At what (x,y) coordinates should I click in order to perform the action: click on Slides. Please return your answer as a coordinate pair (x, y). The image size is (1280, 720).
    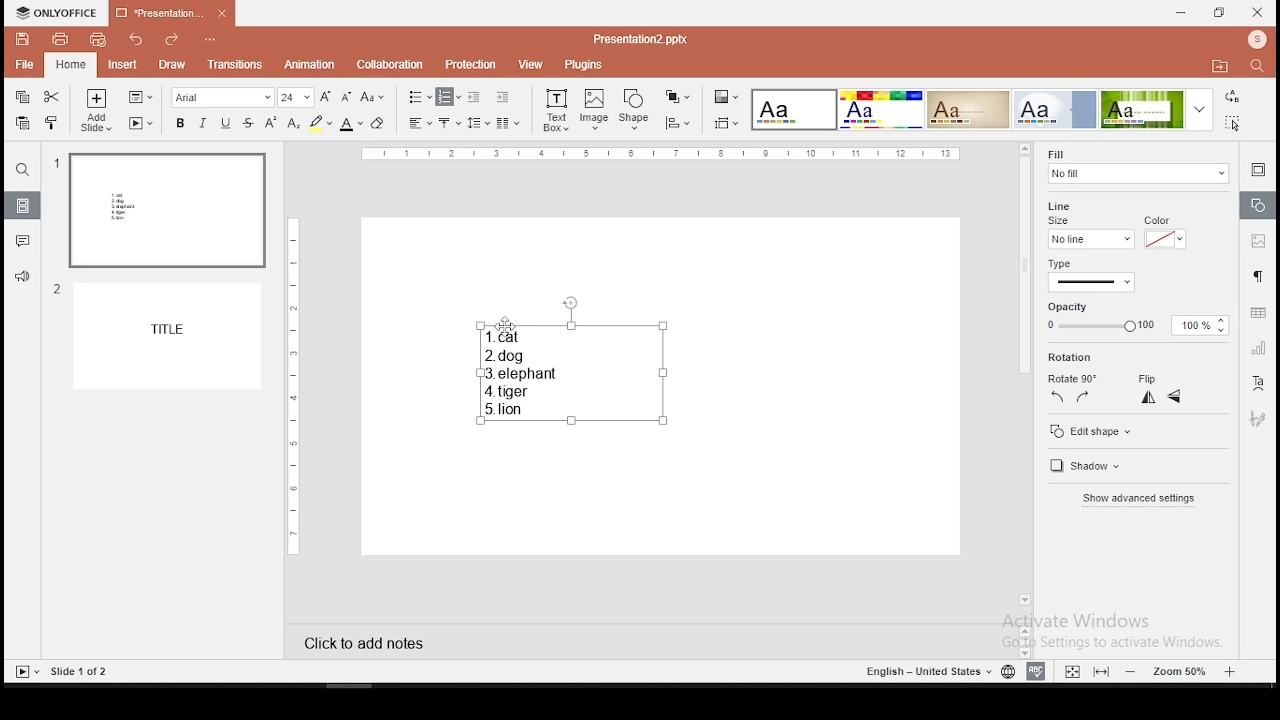
    Looking at the image, I should click on (62, 671).